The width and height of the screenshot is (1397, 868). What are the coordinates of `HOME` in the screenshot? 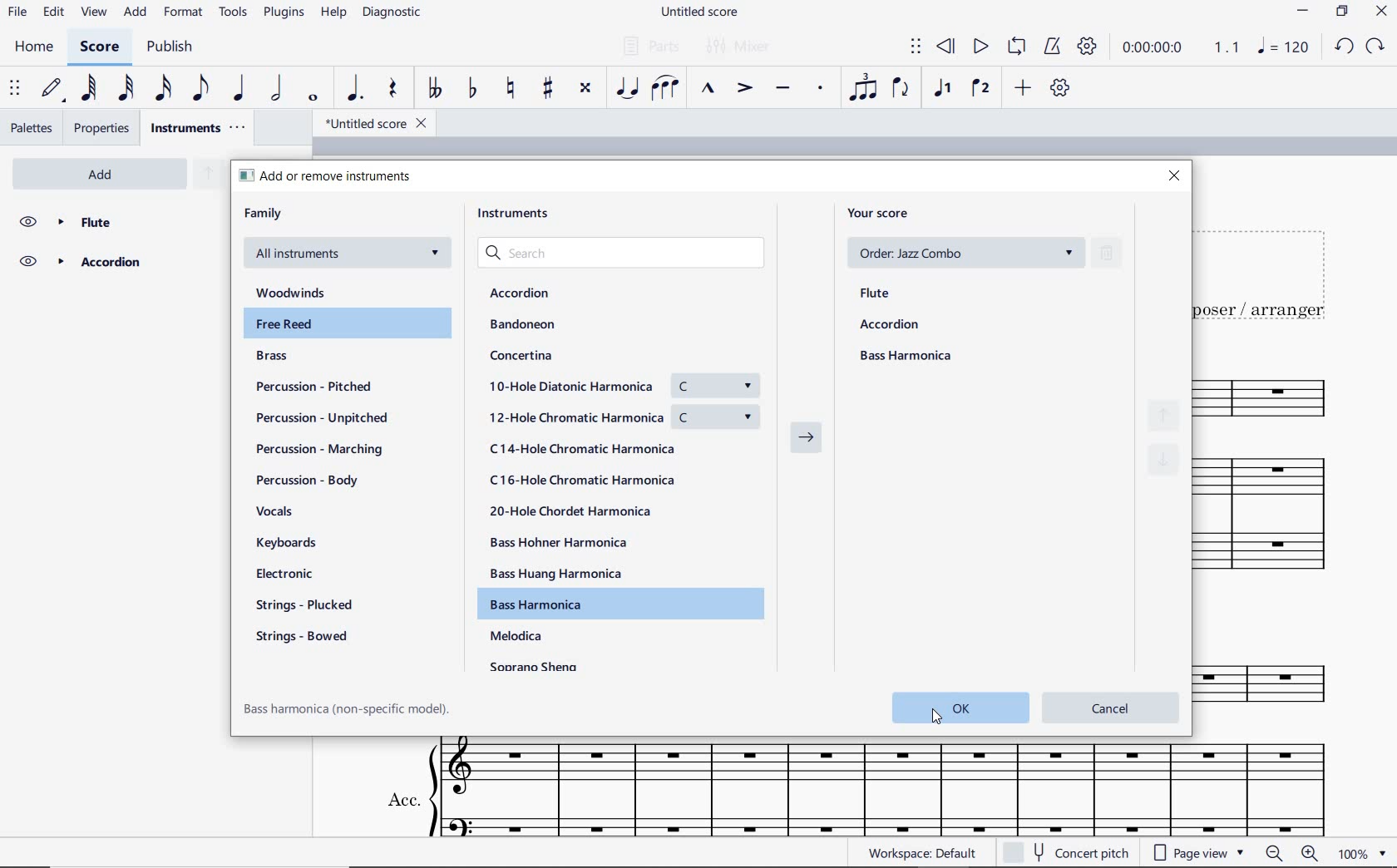 It's located at (34, 49).